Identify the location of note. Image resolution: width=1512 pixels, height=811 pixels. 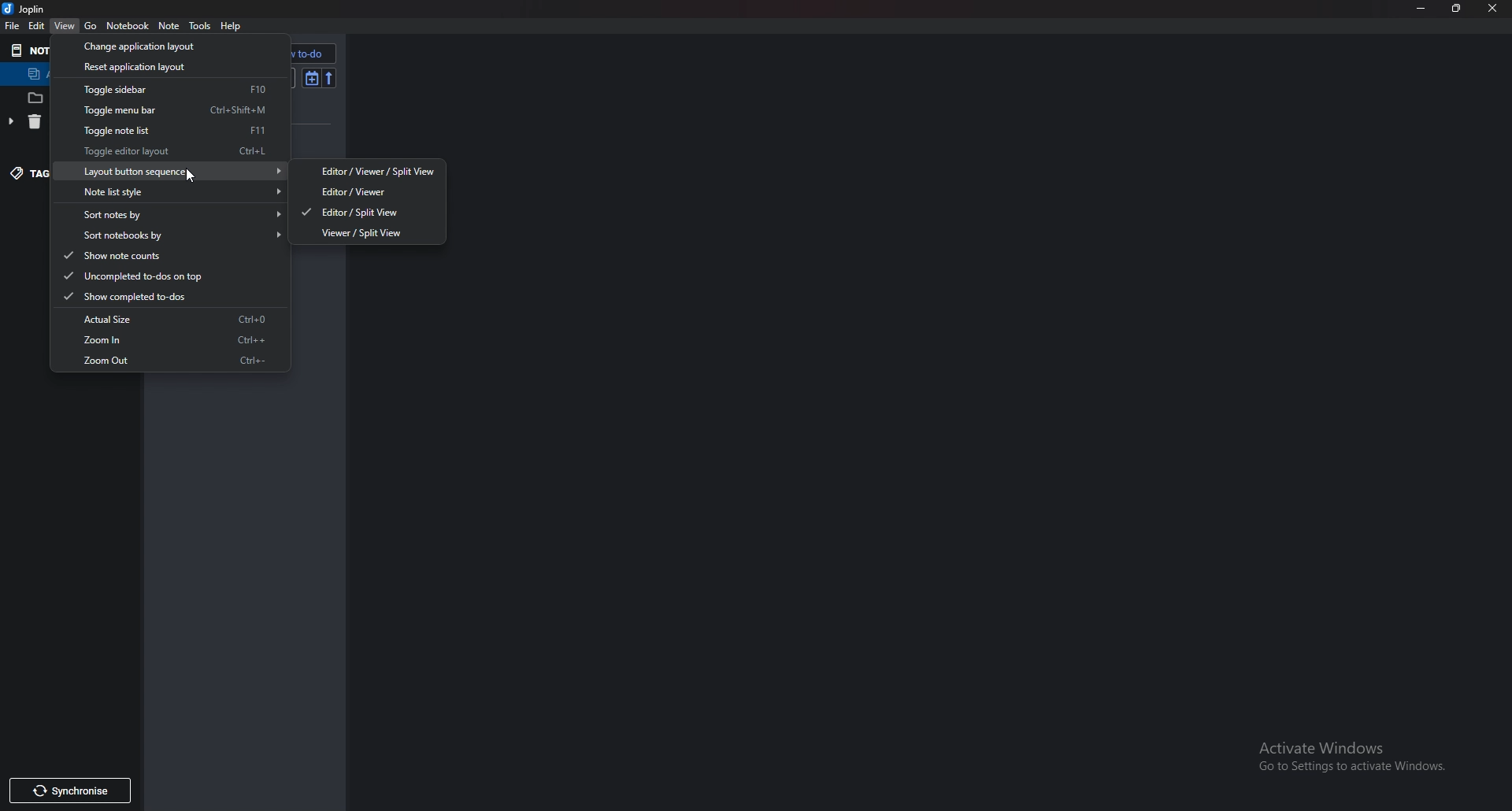
(169, 25).